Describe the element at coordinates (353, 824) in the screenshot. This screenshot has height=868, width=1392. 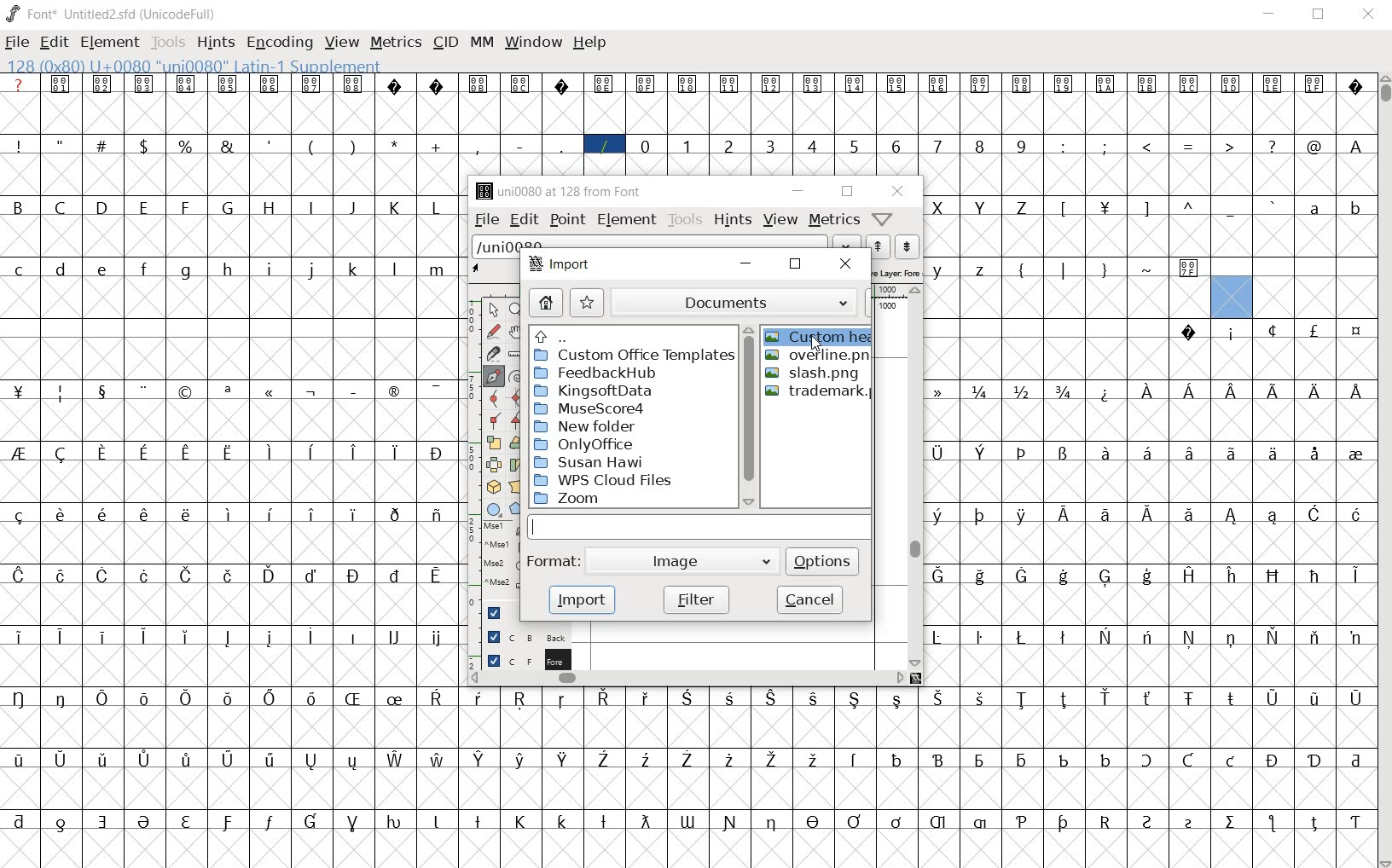
I see `glyph` at that location.